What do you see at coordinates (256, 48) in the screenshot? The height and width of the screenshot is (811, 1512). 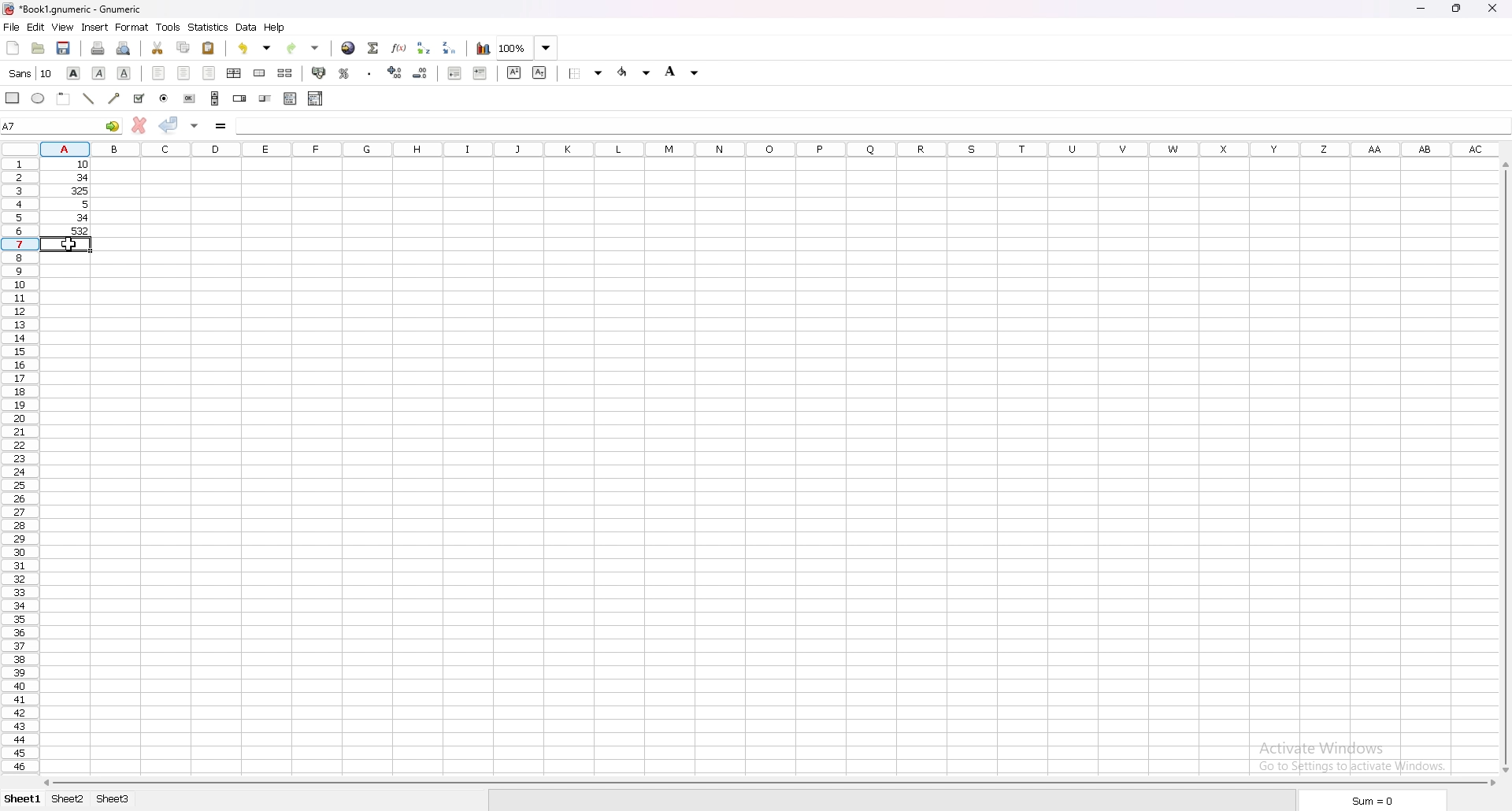 I see `undo` at bounding box center [256, 48].